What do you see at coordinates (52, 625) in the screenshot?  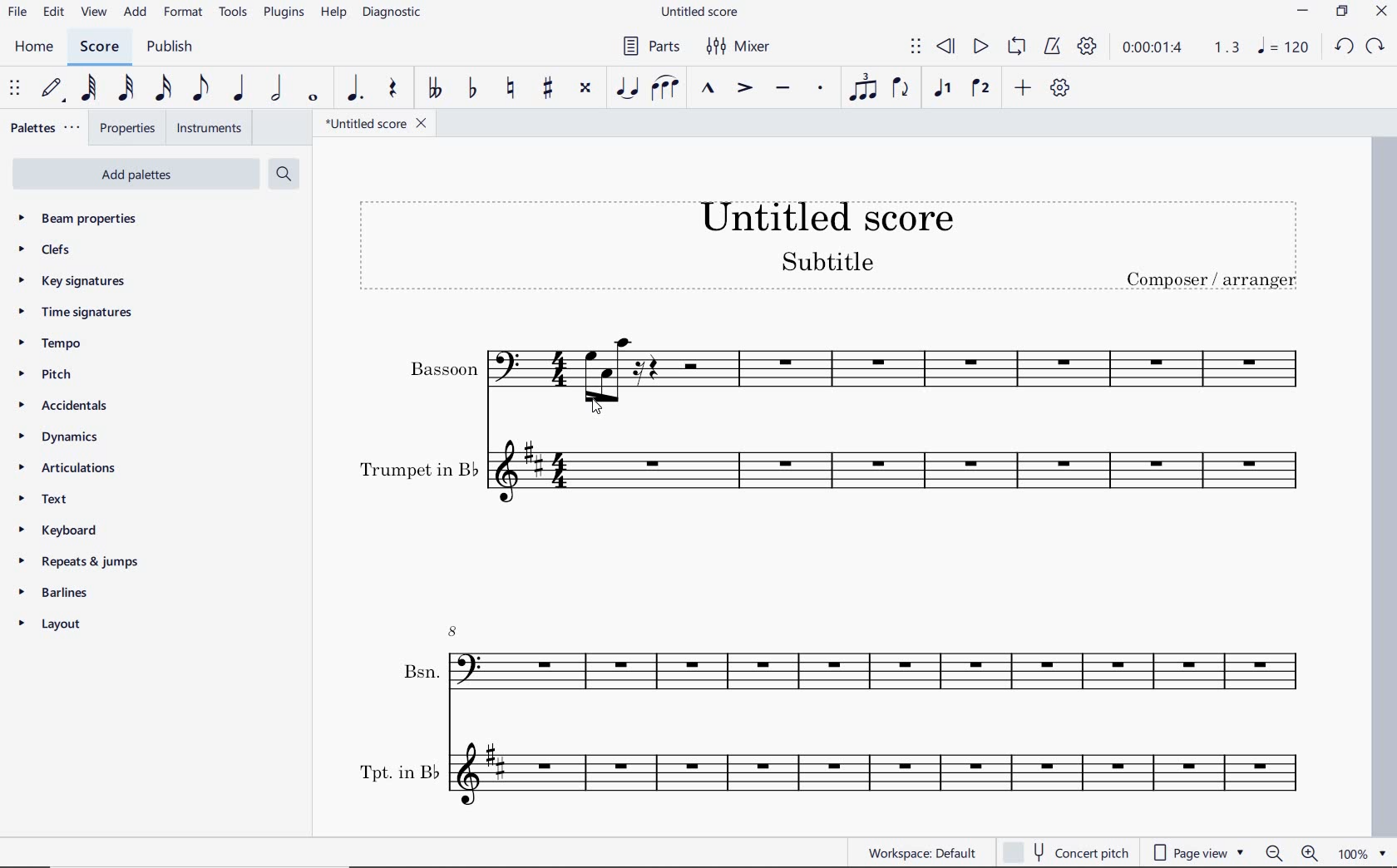 I see `layout` at bounding box center [52, 625].